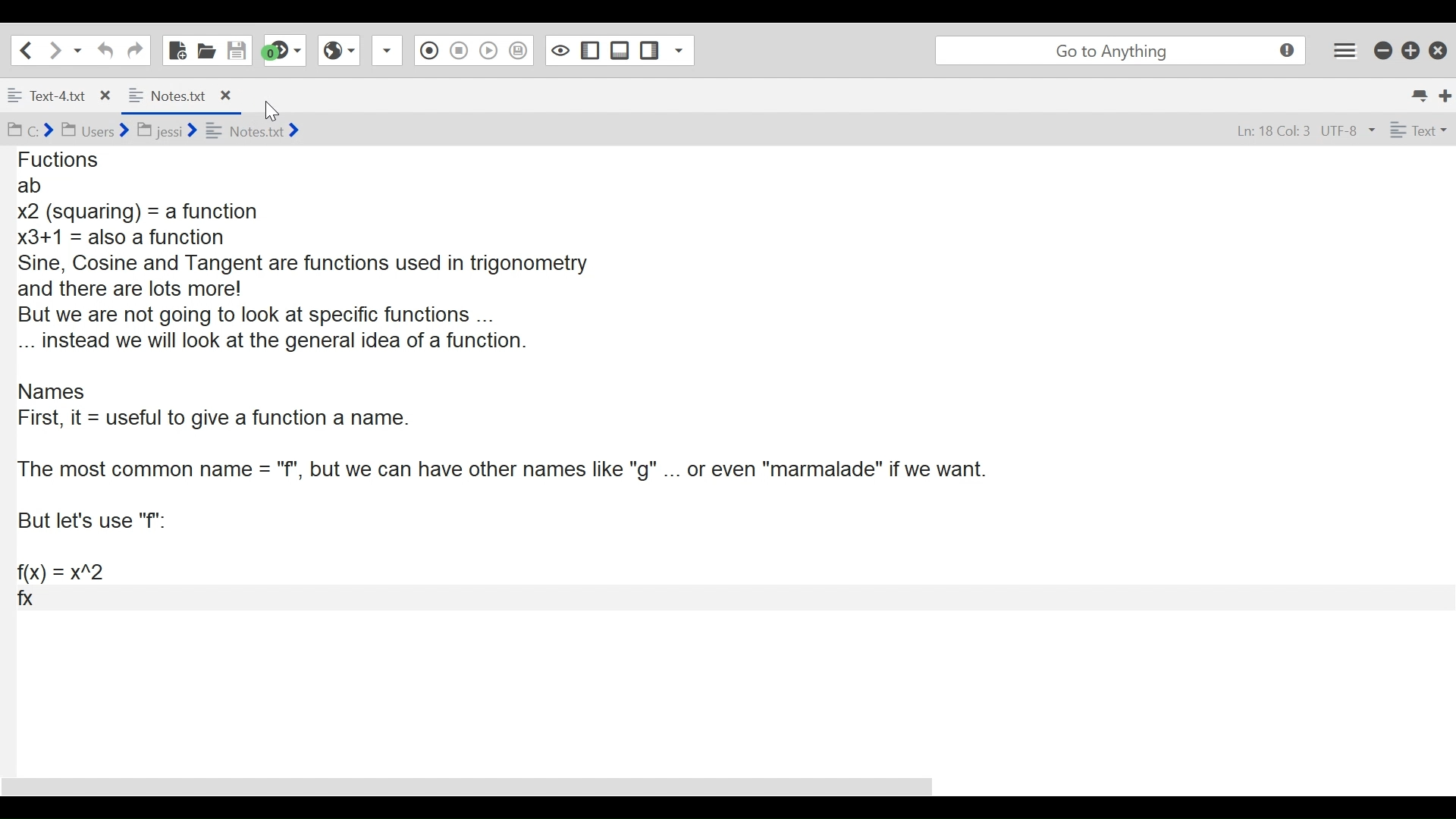 The image size is (1456, 819). Describe the element at coordinates (1348, 131) in the screenshot. I see `utf-8` at that location.